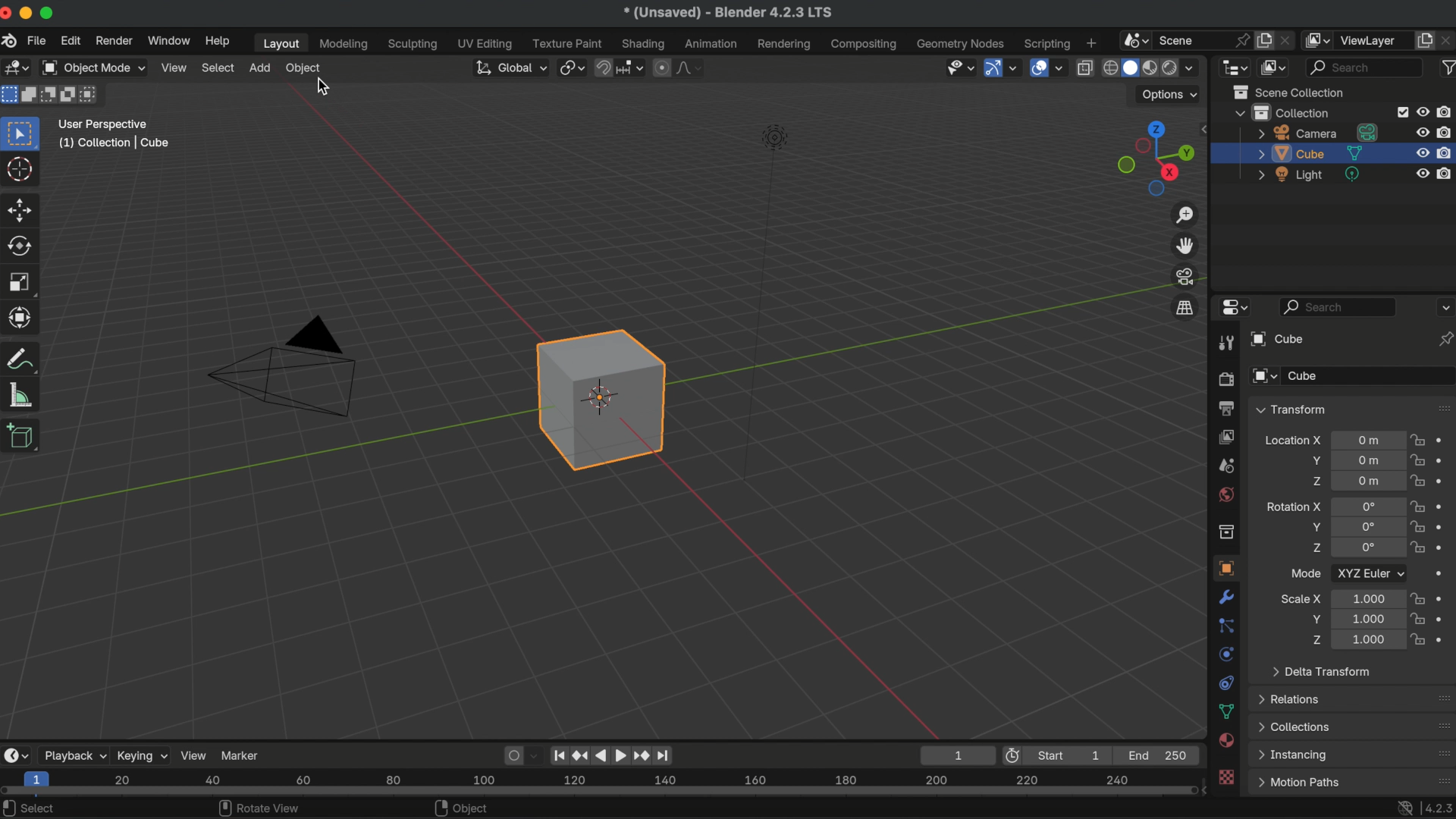  I want to click on XYZ Euler, so click(1370, 573).